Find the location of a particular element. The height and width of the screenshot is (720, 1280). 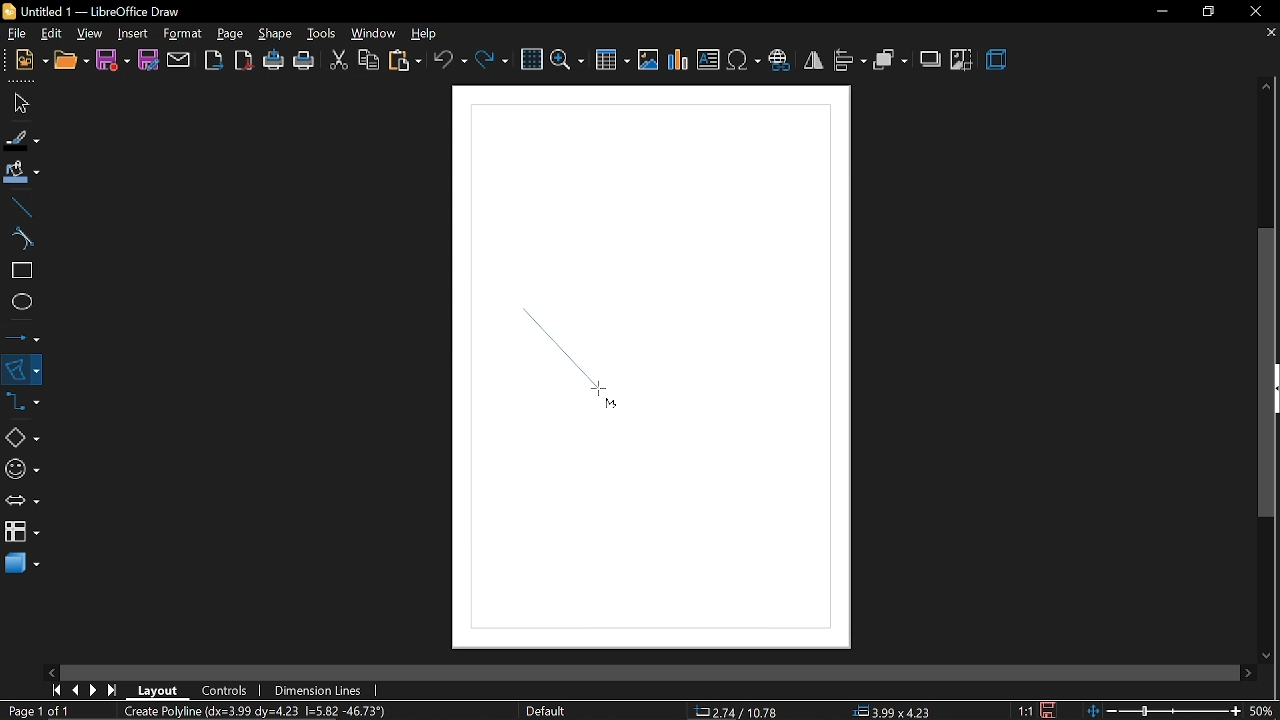

export as pdf is located at coordinates (245, 61).